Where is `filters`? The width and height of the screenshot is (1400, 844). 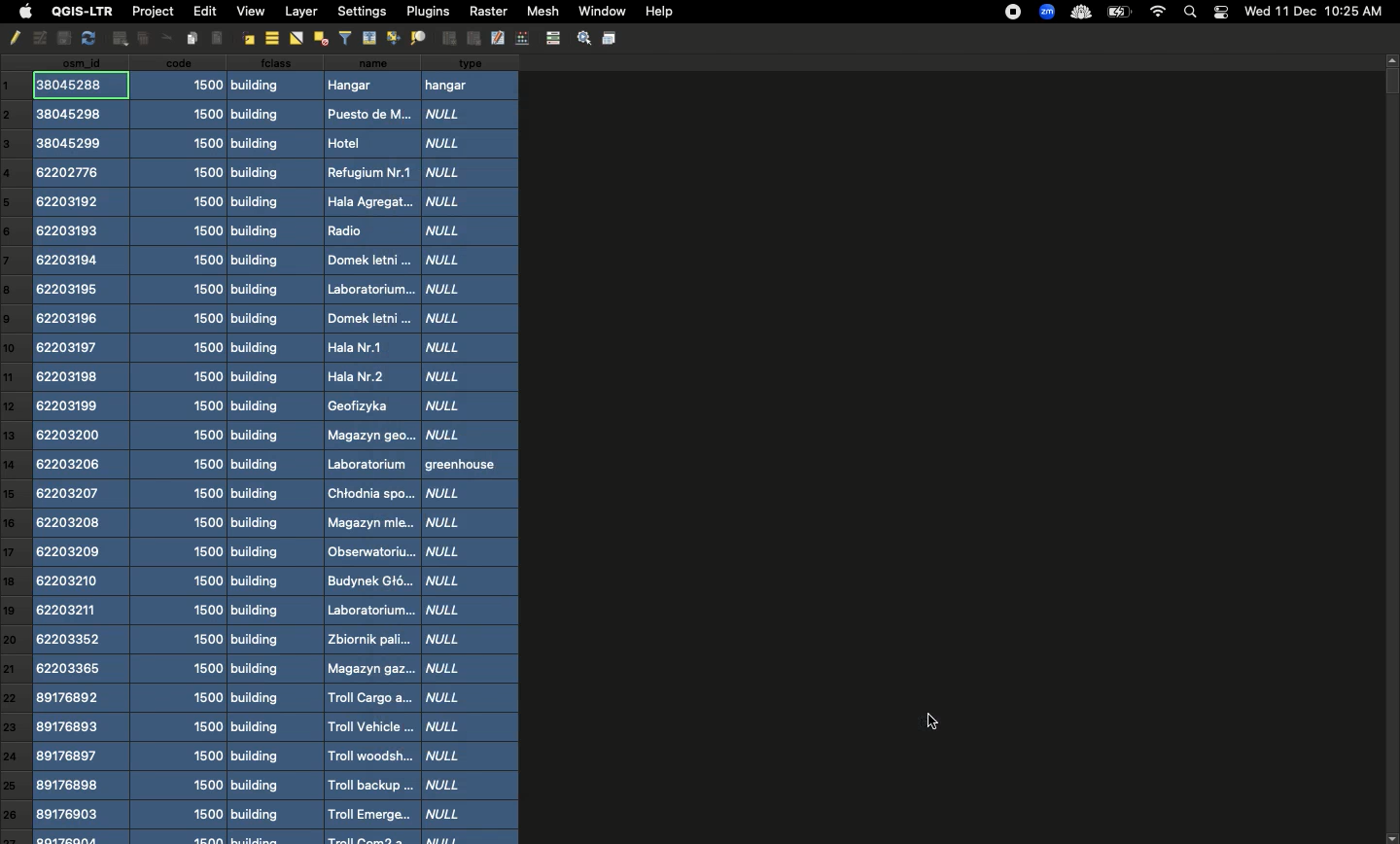 filters is located at coordinates (345, 36).